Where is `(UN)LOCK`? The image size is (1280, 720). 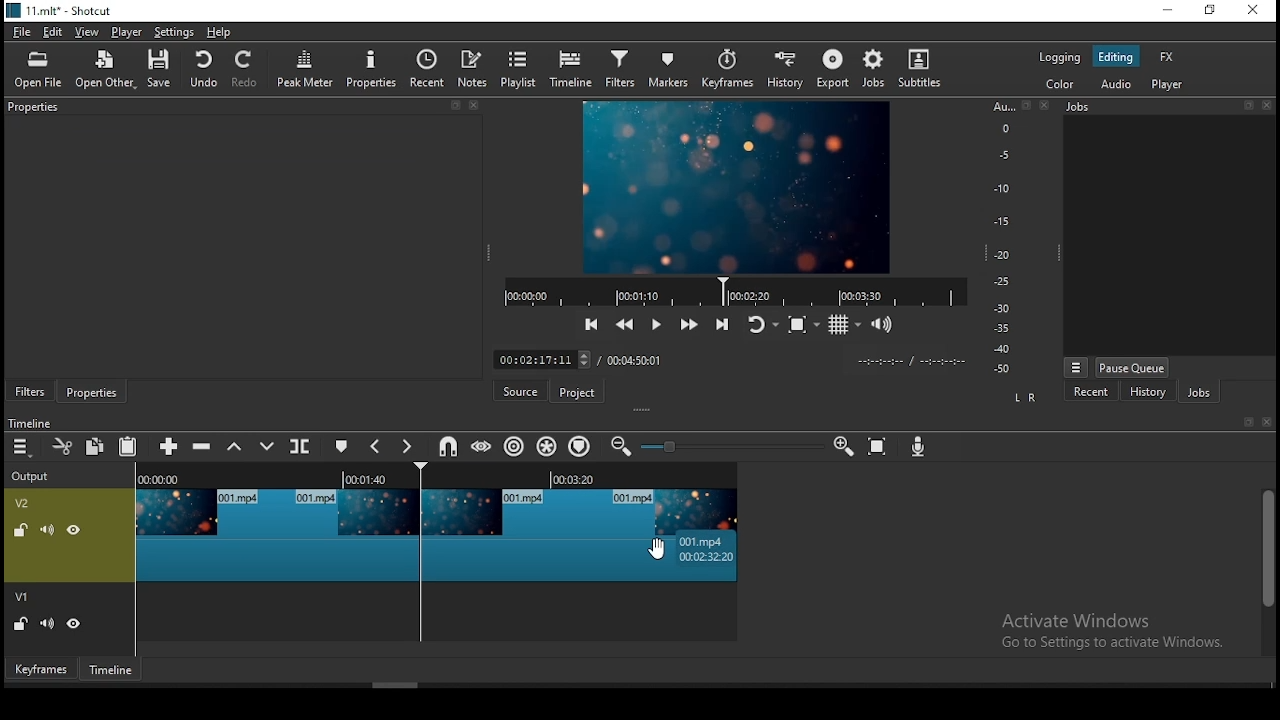
(UN)LOCK is located at coordinates (20, 625).